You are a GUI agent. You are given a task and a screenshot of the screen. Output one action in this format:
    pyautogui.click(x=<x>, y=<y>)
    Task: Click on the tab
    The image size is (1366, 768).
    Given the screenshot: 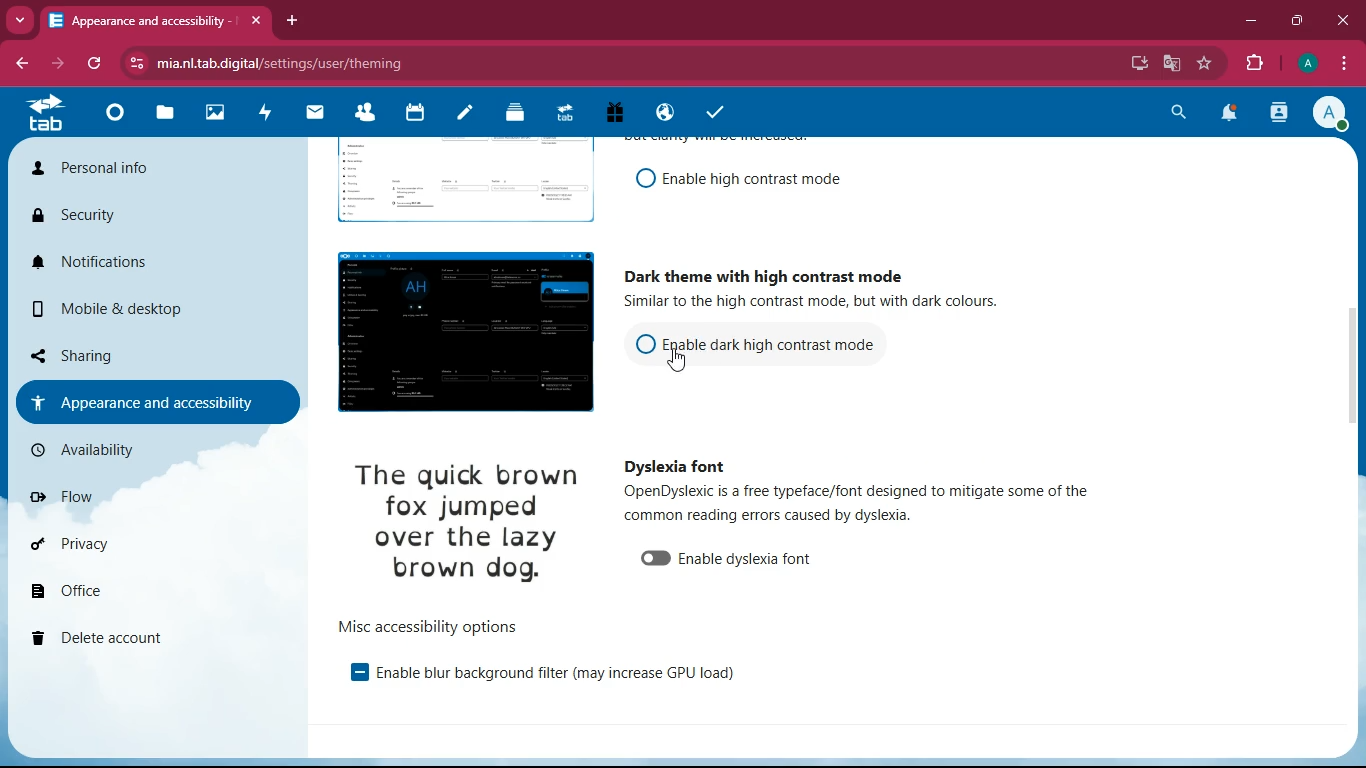 What is the action you would take?
    pyautogui.click(x=571, y=114)
    